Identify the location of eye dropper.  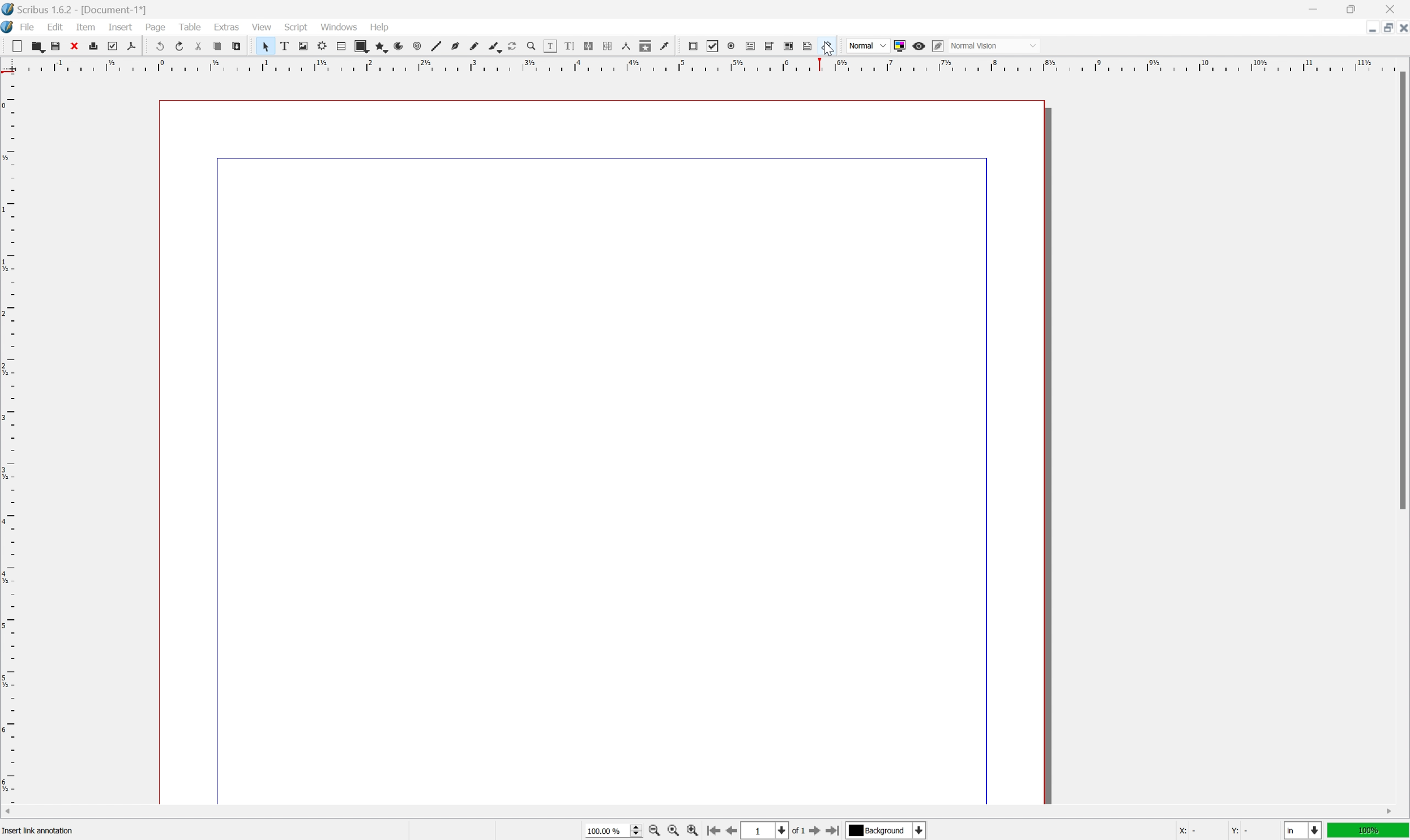
(665, 46).